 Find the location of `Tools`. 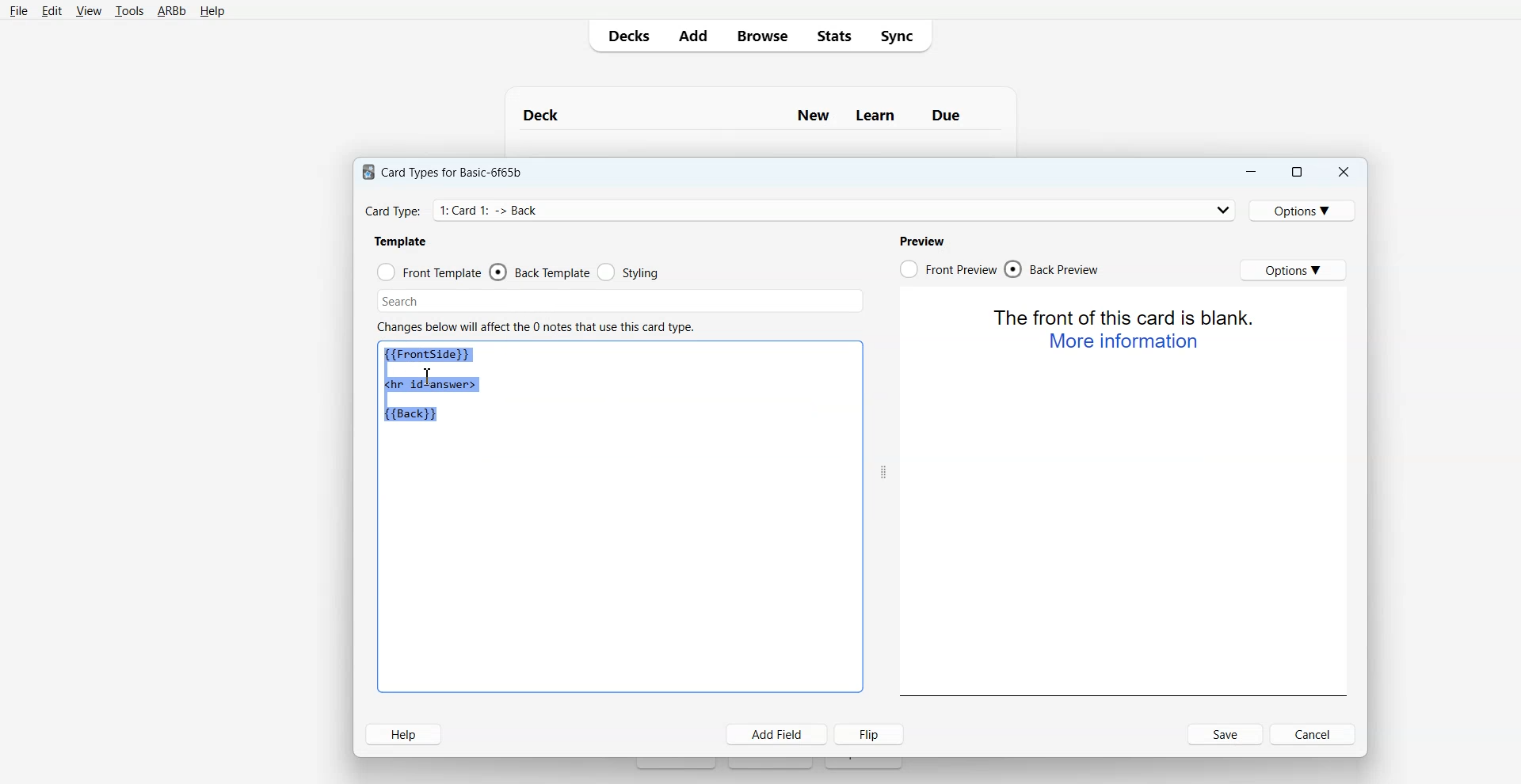

Tools is located at coordinates (129, 11).